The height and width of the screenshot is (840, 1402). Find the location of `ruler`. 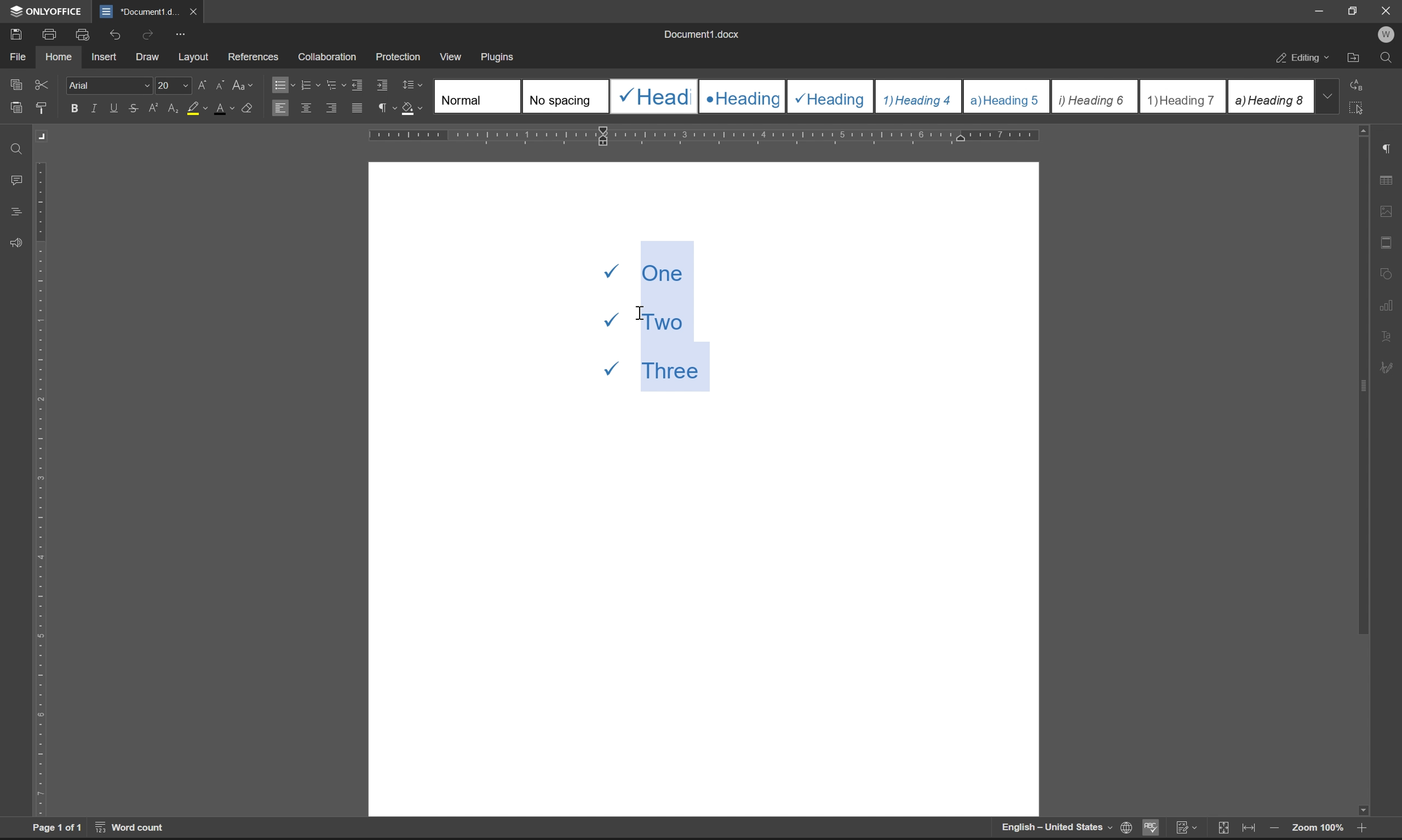

ruler is located at coordinates (705, 136).